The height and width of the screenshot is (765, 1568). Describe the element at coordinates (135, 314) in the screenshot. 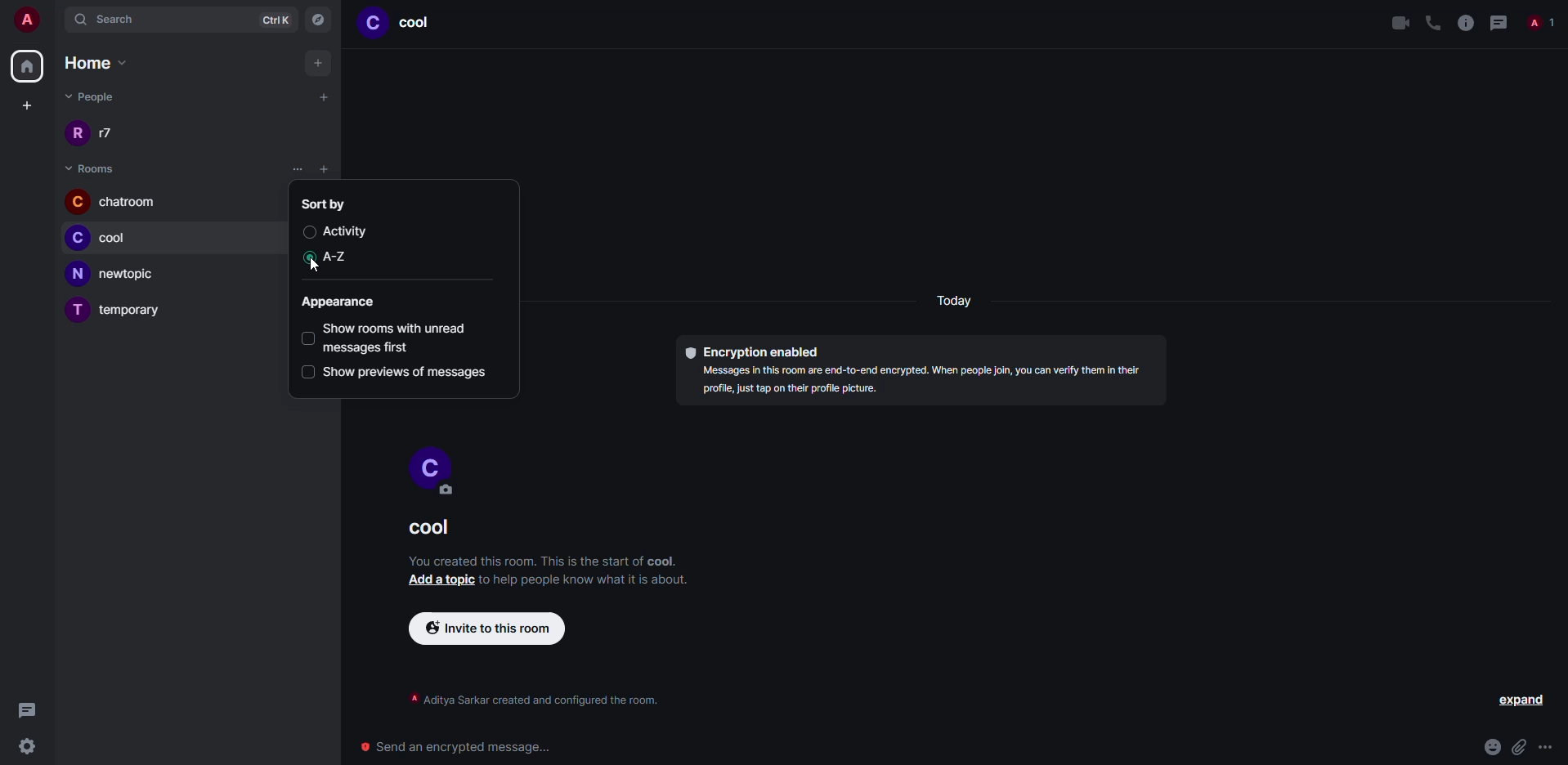

I see `temporary` at that location.